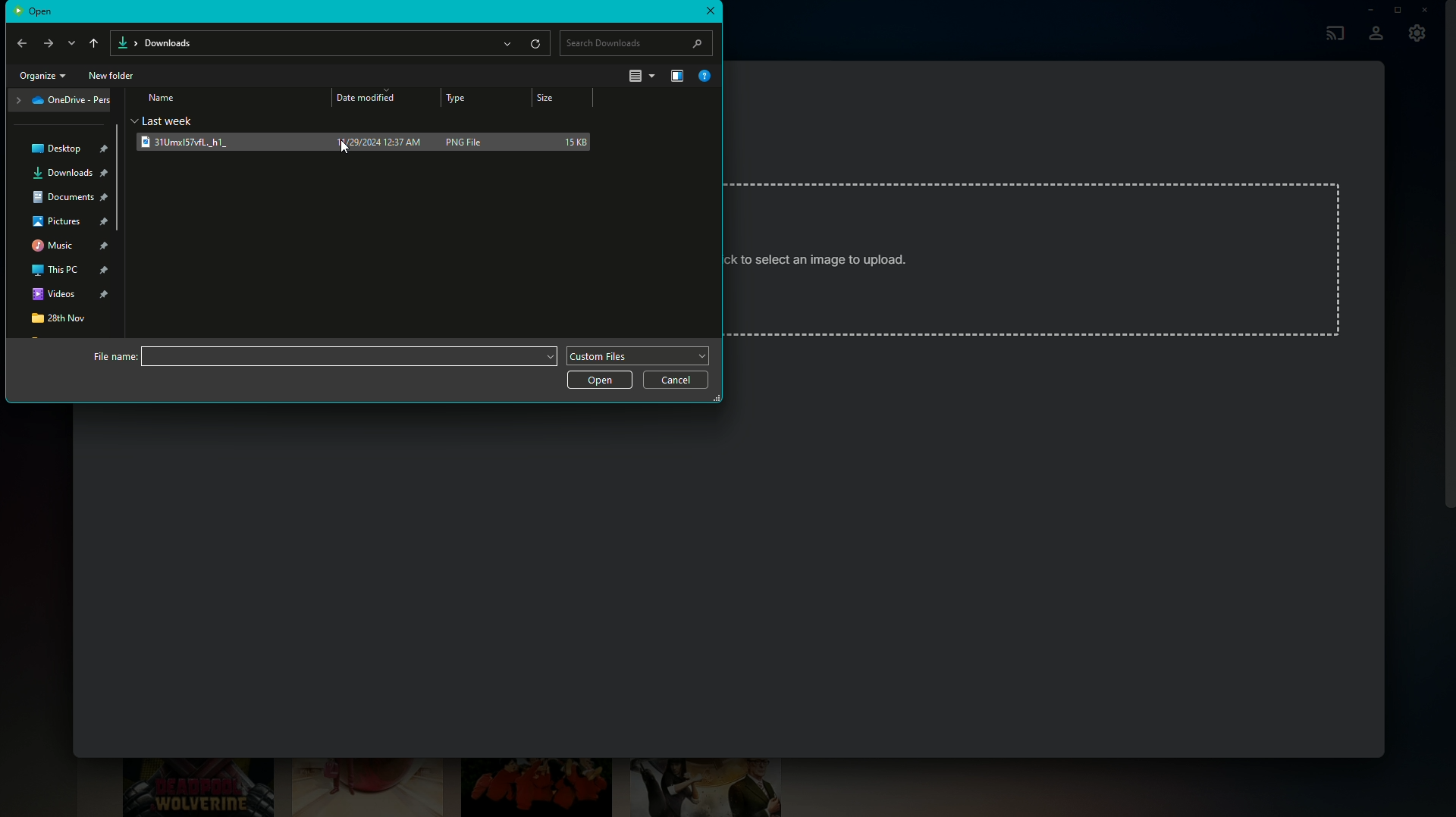 The height and width of the screenshot is (817, 1456). Describe the element at coordinates (561, 99) in the screenshot. I see `Sixe` at that location.